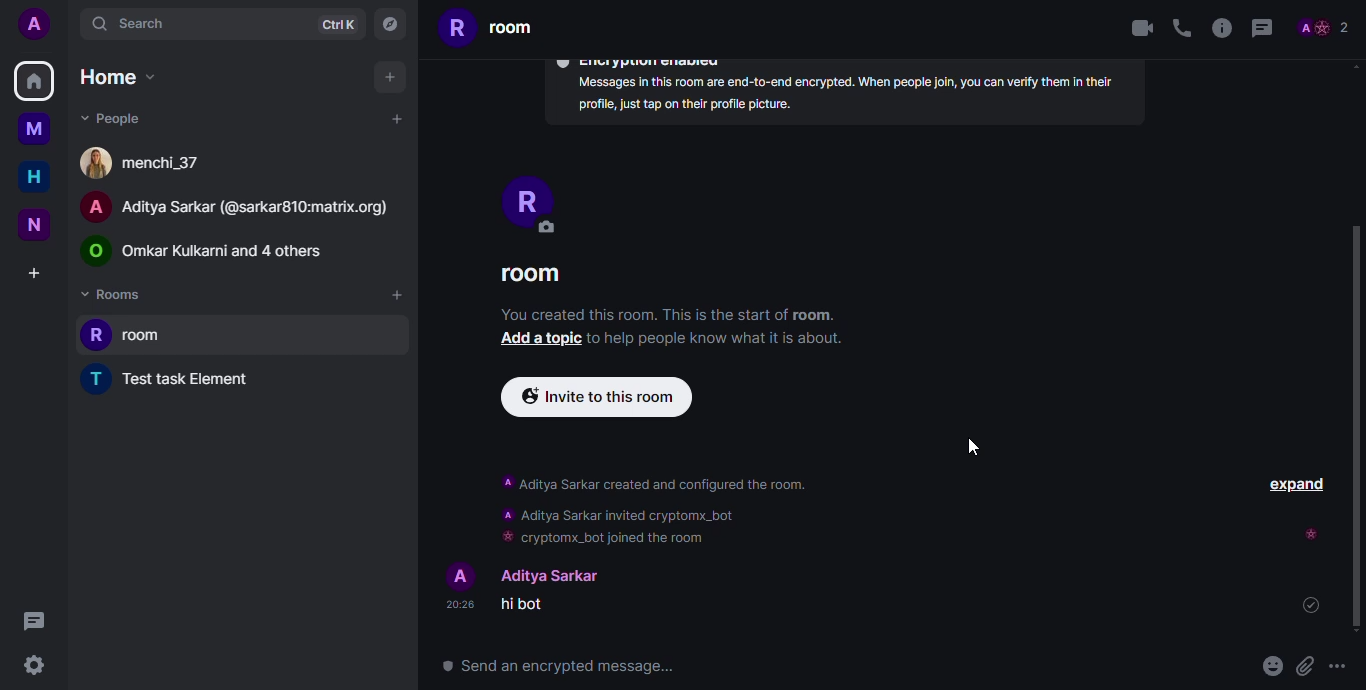  What do you see at coordinates (37, 128) in the screenshot?
I see `myspace` at bounding box center [37, 128].